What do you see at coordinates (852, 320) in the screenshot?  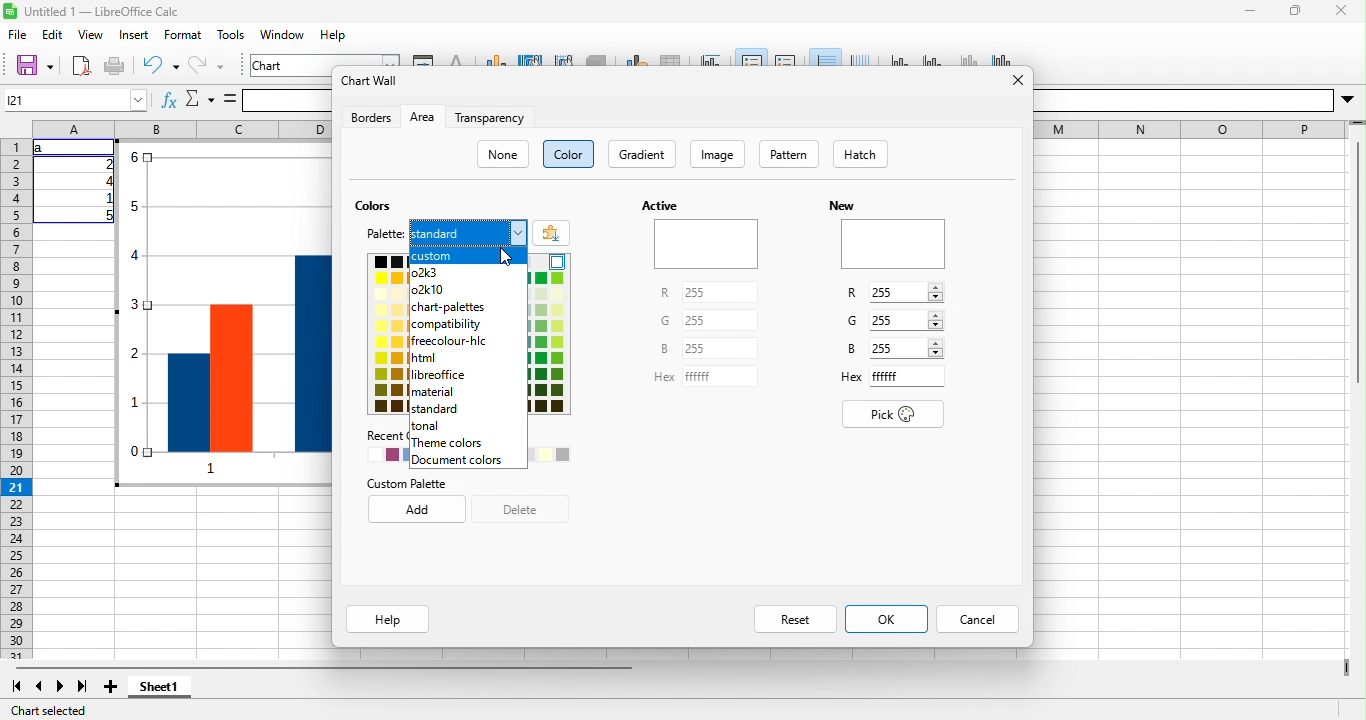 I see `G` at bounding box center [852, 320].